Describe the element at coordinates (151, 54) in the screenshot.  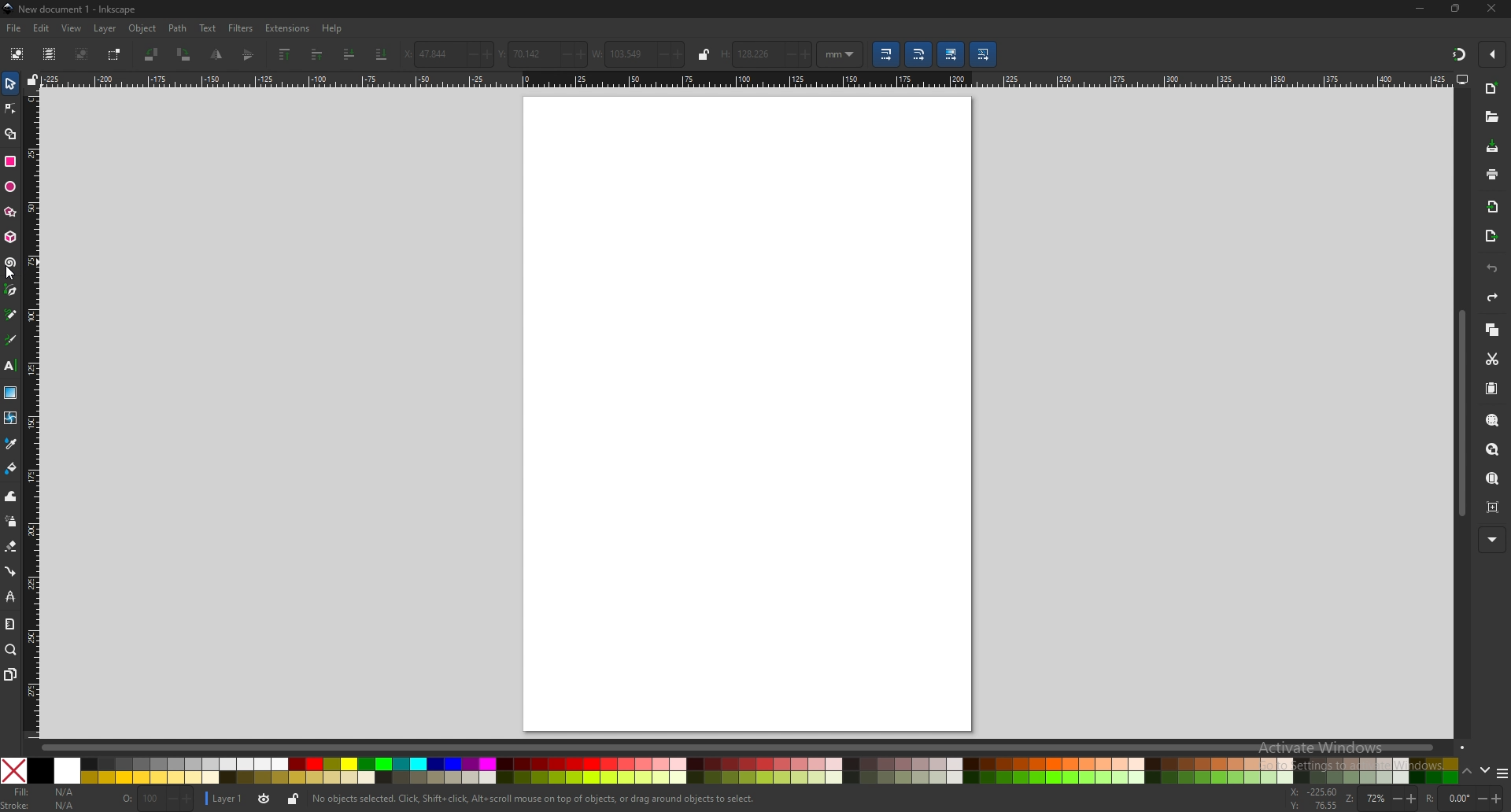
I see `rotate 90 degree ccw` at that location.